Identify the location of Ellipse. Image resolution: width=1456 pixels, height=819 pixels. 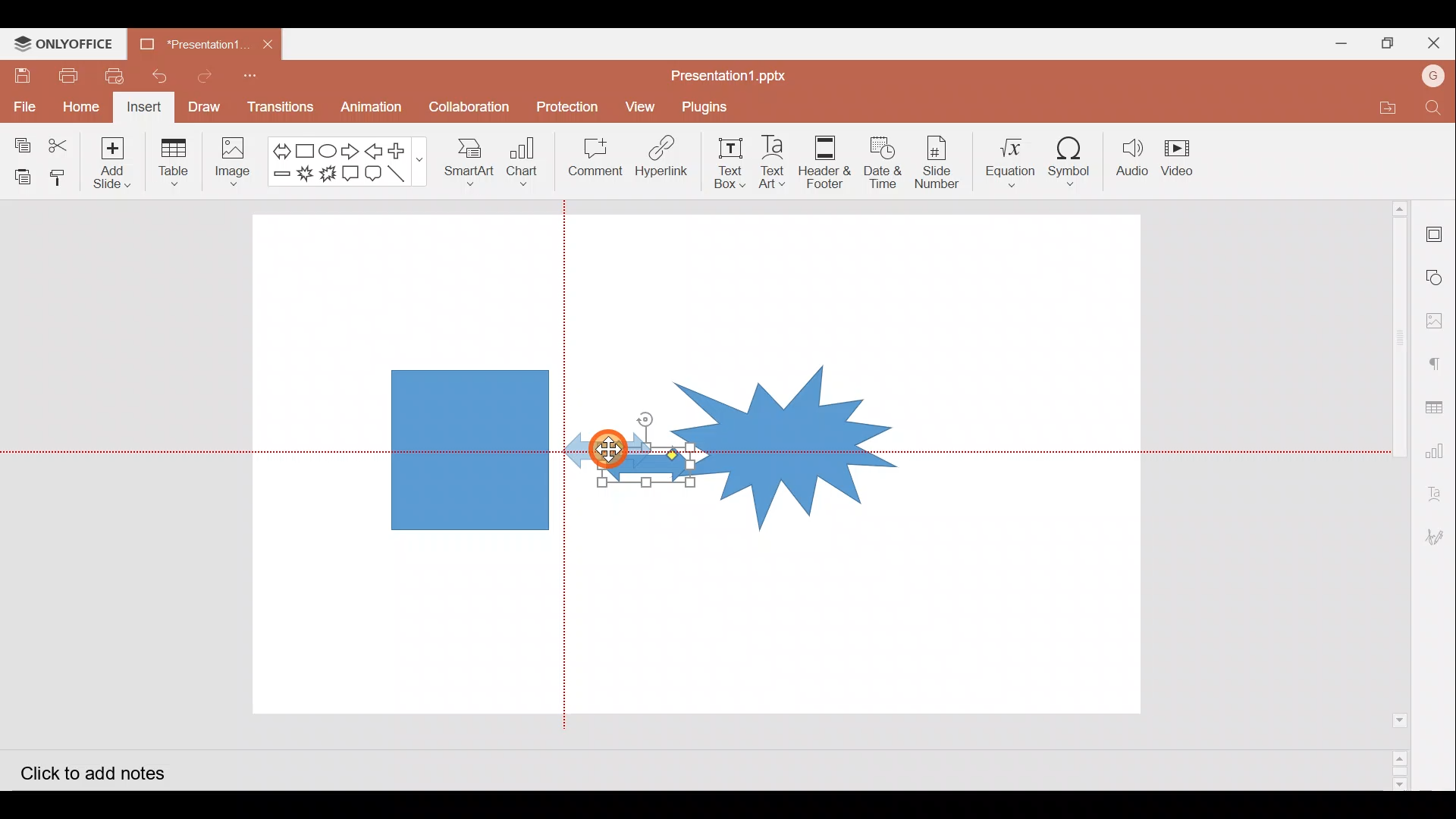
(327, 149).